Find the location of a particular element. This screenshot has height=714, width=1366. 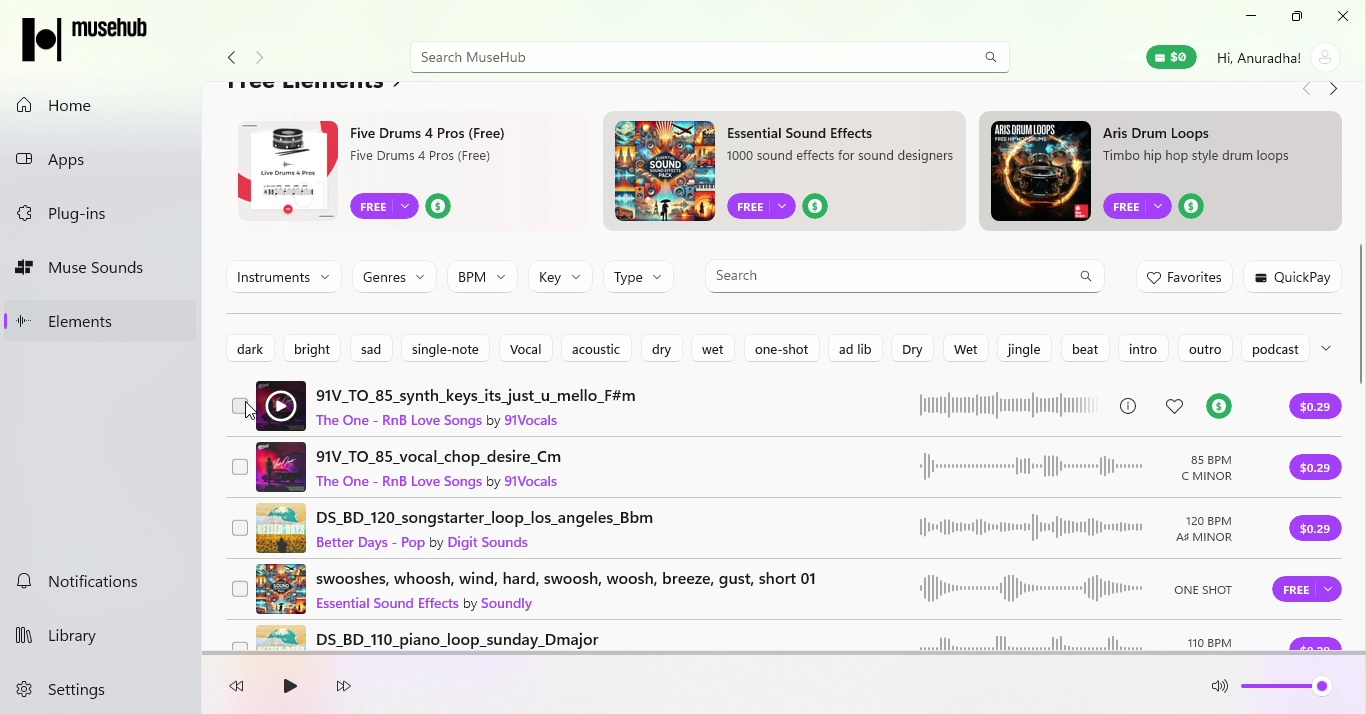

Dry is located at coordinates (910, 349).